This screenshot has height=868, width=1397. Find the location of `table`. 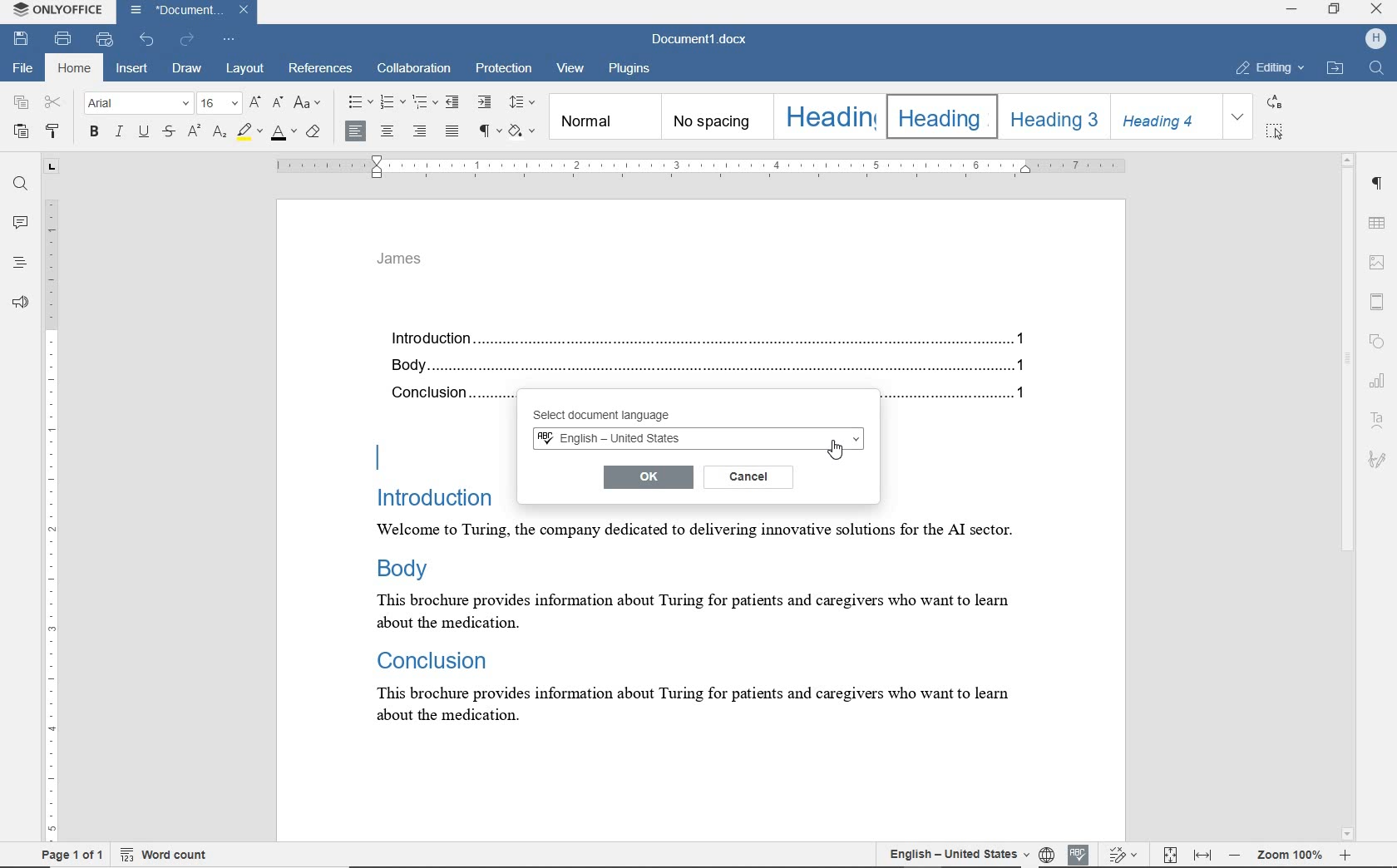

table is located at coordinates (1379, 223).